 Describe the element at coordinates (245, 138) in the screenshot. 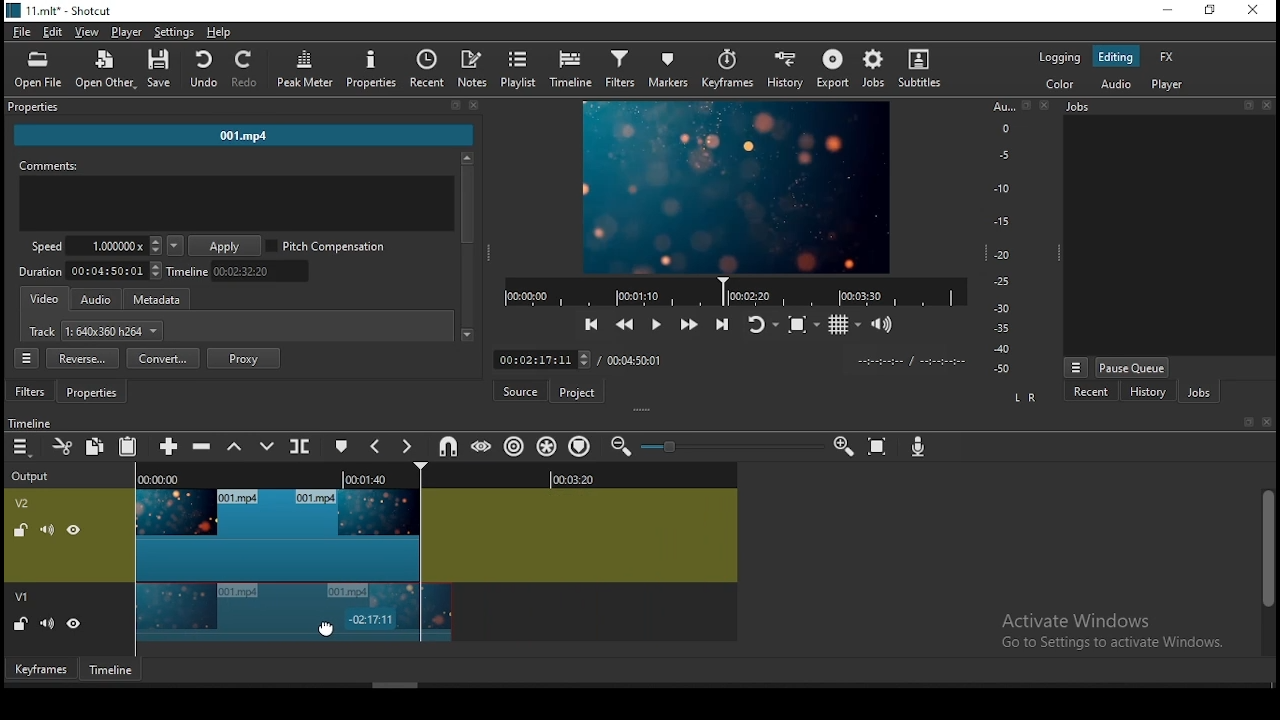

I see `001.MP4` at that location.